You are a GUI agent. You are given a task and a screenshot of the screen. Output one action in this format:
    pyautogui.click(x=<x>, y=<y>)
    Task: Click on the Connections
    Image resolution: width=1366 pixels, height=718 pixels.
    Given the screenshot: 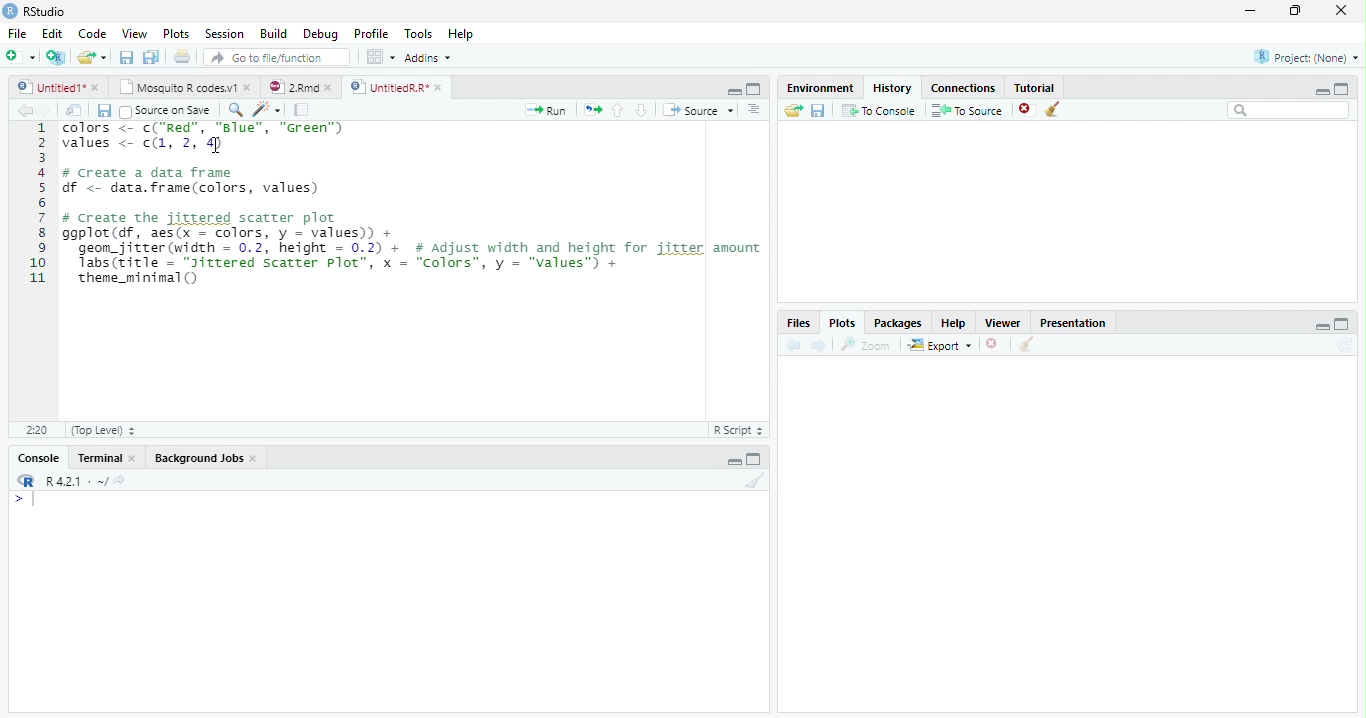 What is the action you would take?
    pyautogui.click(x=963, y=88)
    